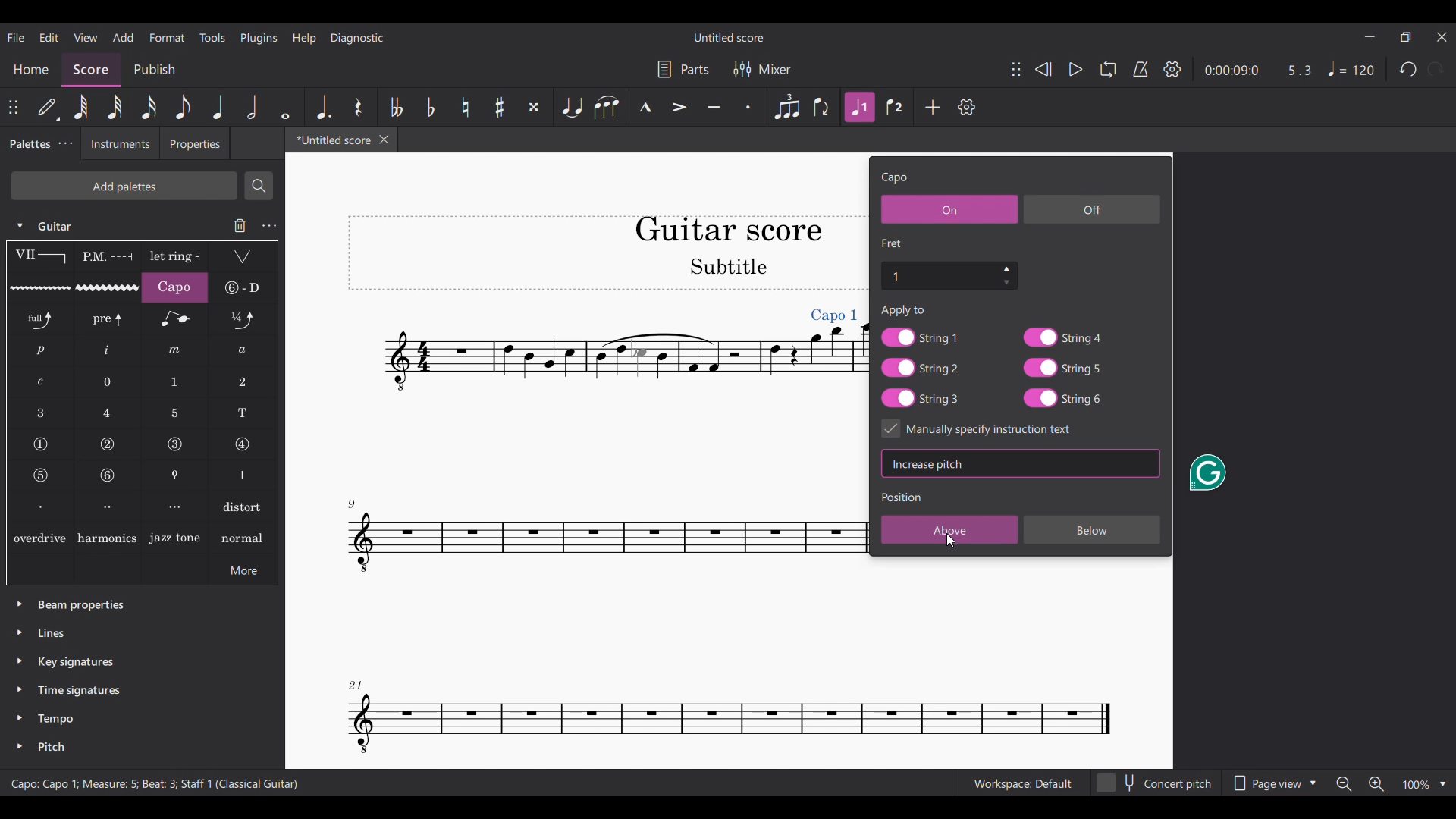 This screenshot has height=819, width=1456. What do you see at coordinates (544, 460) in the screenshot?
I see `Current score` at bounding box center [544, 460].